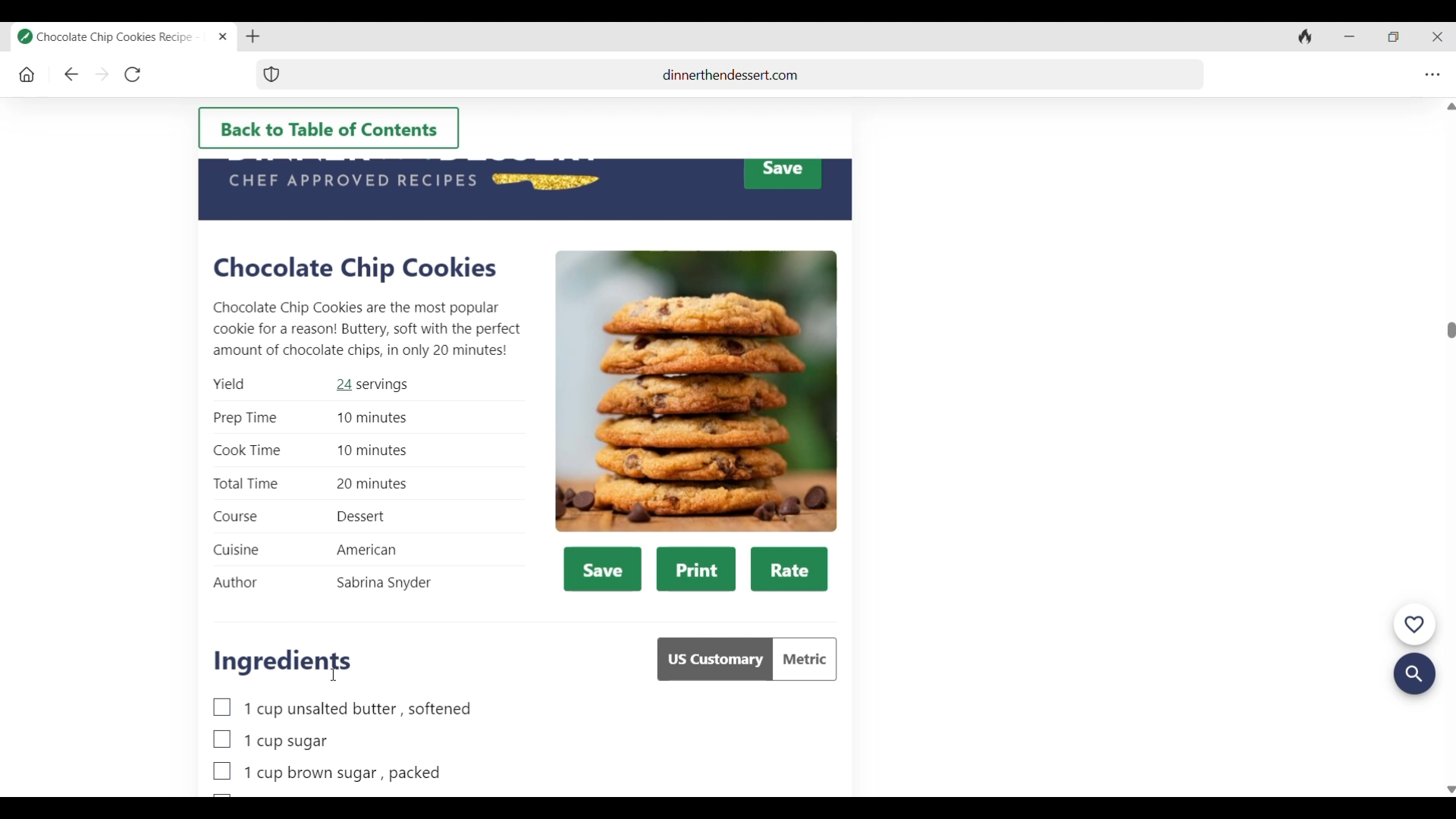  I want to click on CHEF APPROVED RECIPES, so click(350, 180).